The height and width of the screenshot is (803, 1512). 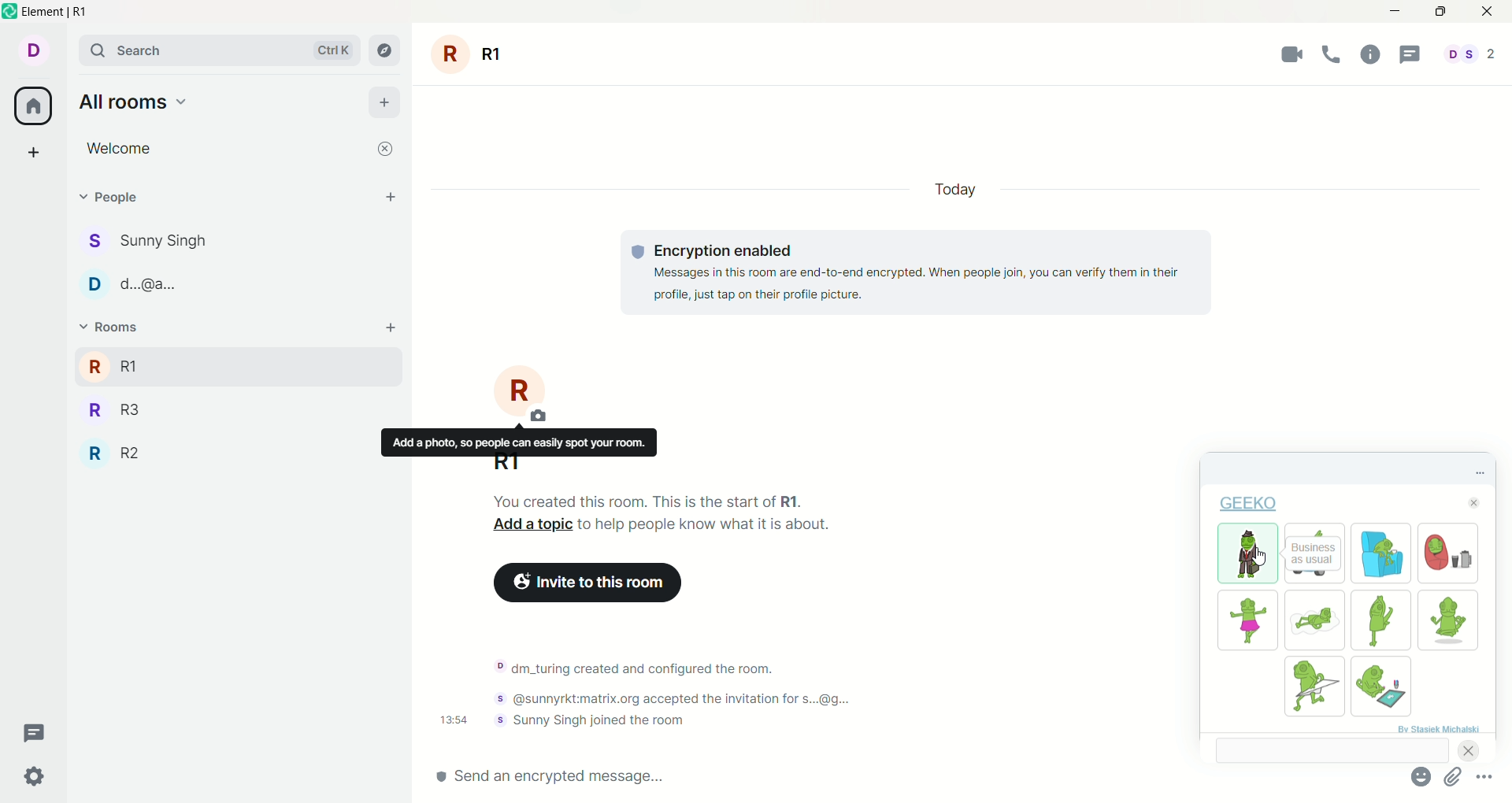 What do you see at coordinates (1484, 776) in the screenshot?
I see `More options` at bounding box center [1484, 776].